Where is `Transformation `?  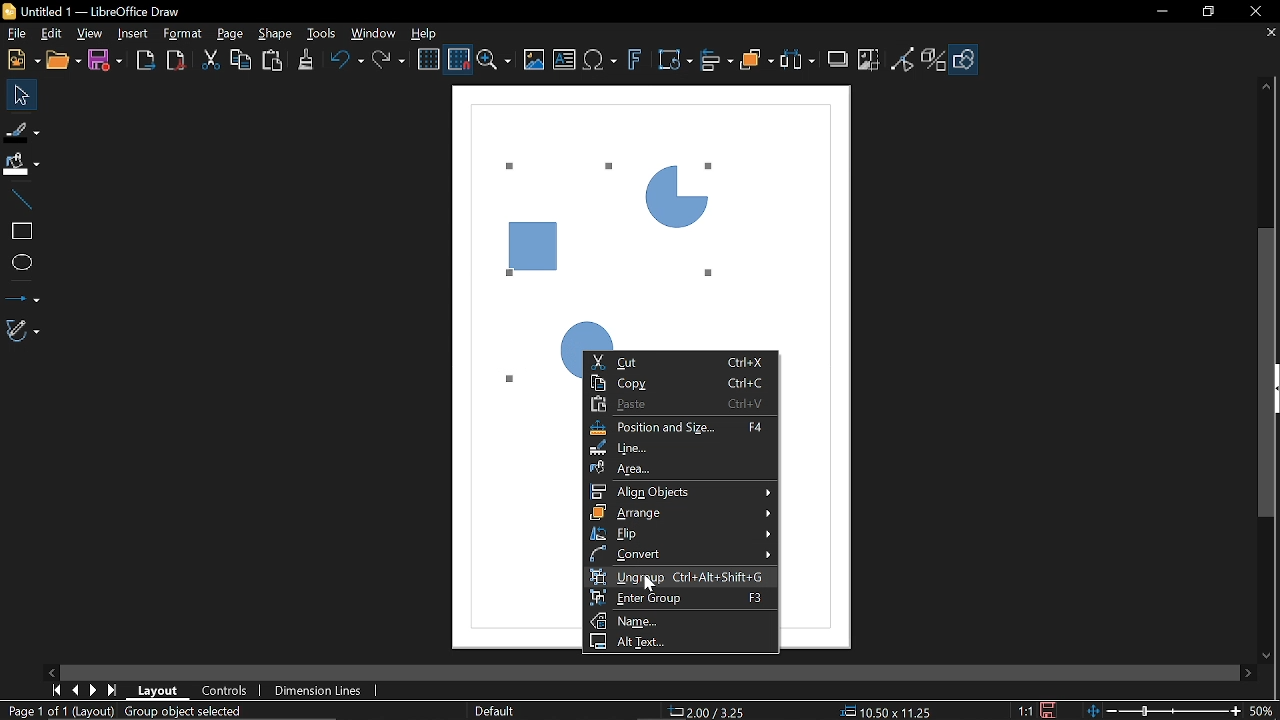
Transformation  is located at coordinates (674, 61).